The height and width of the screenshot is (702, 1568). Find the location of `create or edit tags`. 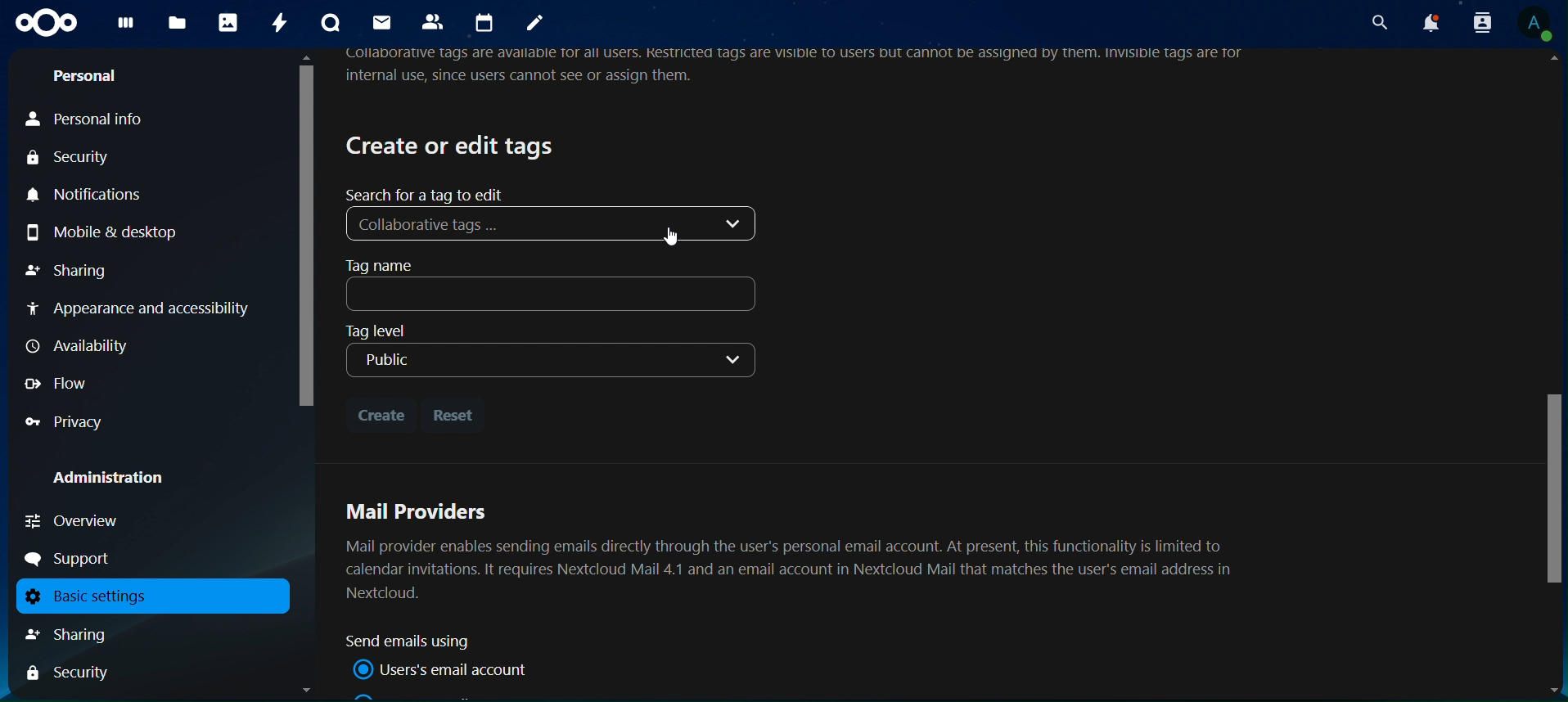

create or edit tags is located at coordinates (453, 145).